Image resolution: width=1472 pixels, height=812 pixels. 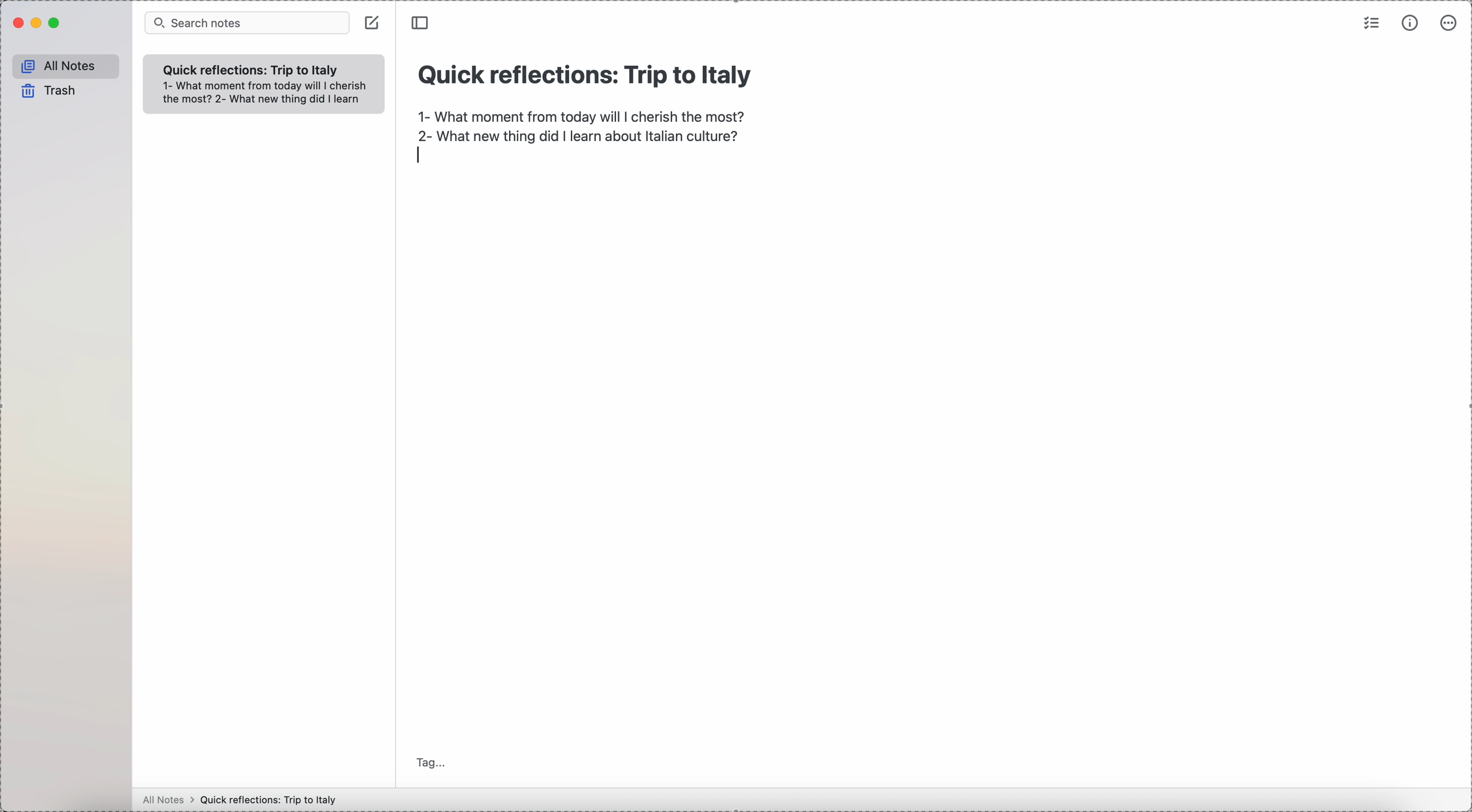 What do you see at coordinates (271, 799) in the screenshot?
I see `Quick reflections: Trip to Italy` at bounding box center [271, 799].